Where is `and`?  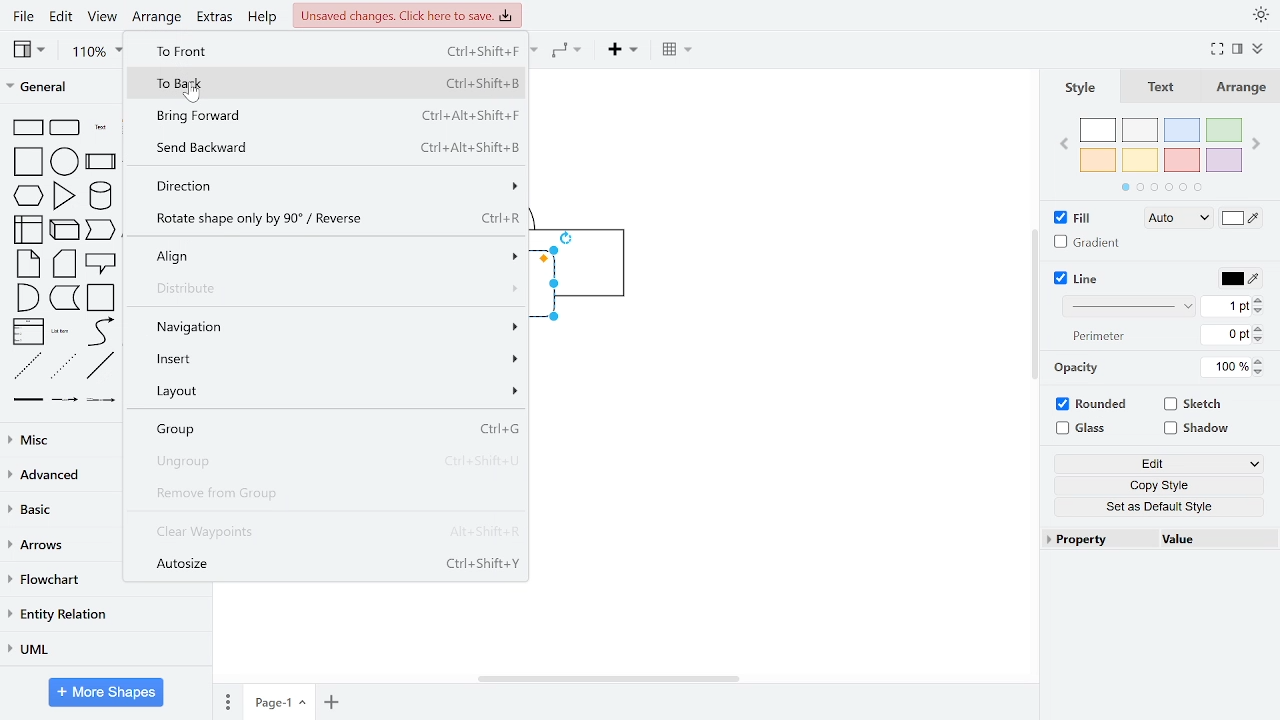 and is located at coordinates (27, 297).